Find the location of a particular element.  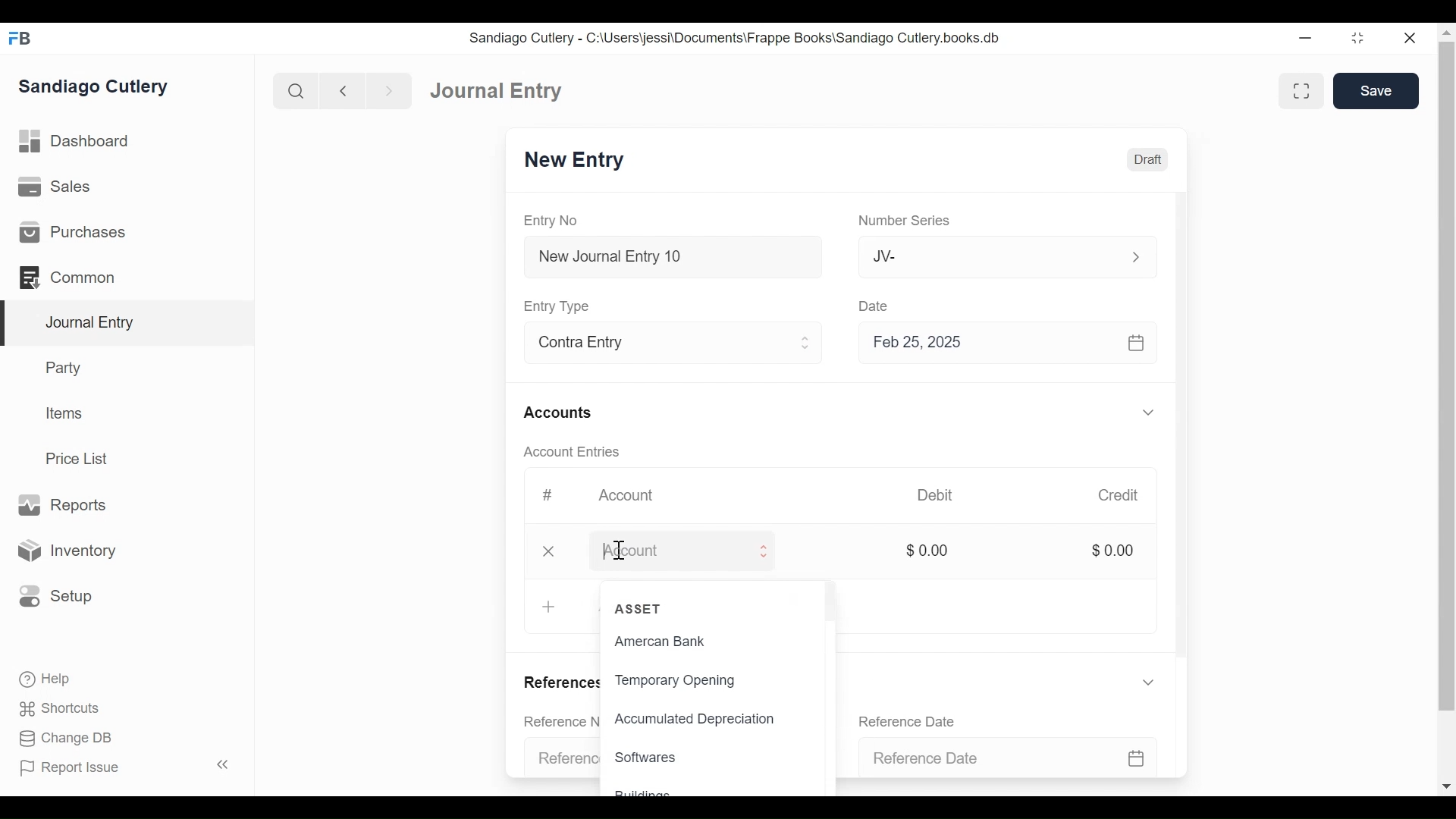

Expand is located at coordinates (1147, 413).